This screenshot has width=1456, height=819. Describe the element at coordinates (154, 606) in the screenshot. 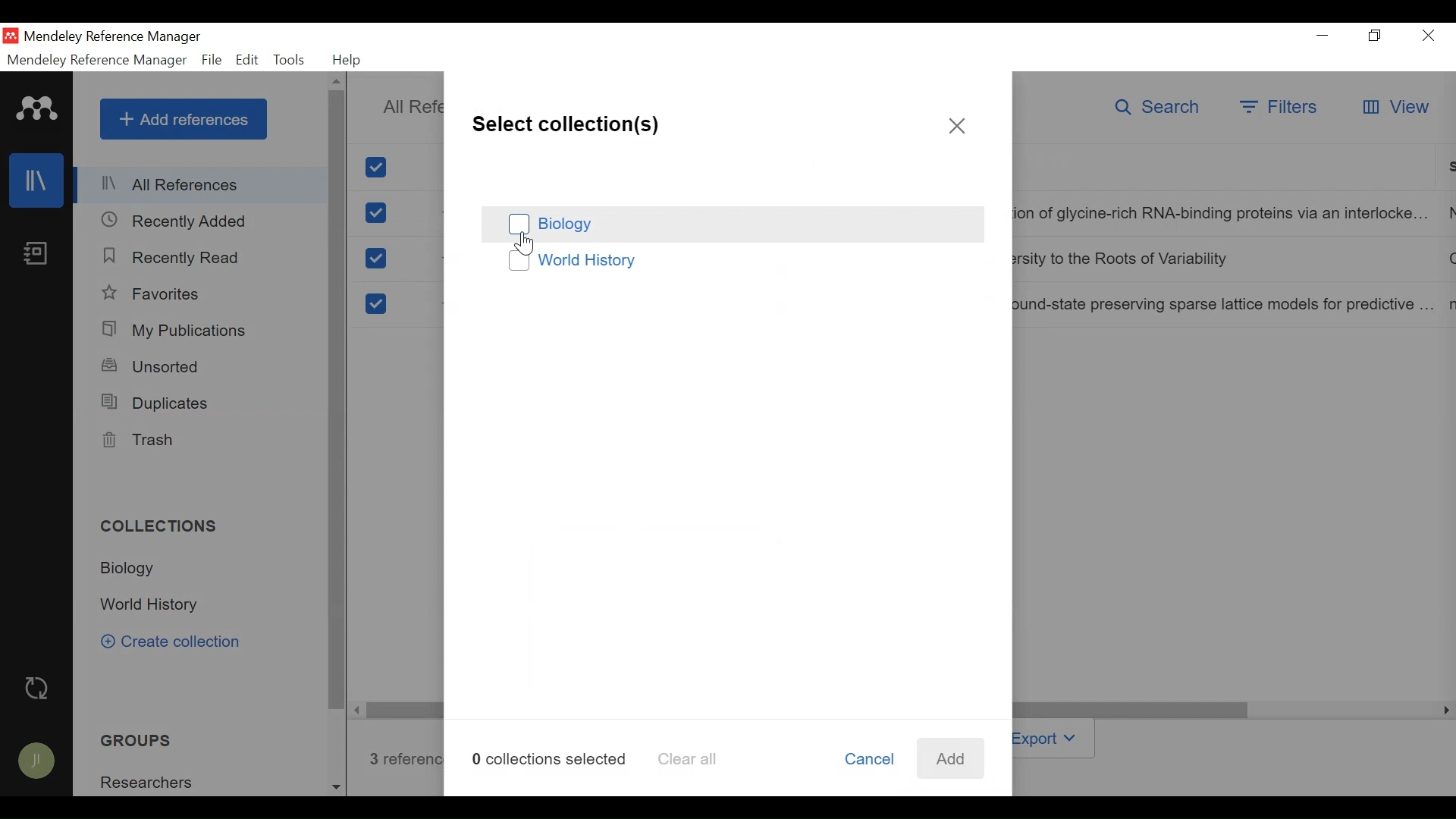

I see `Collection` at that location.